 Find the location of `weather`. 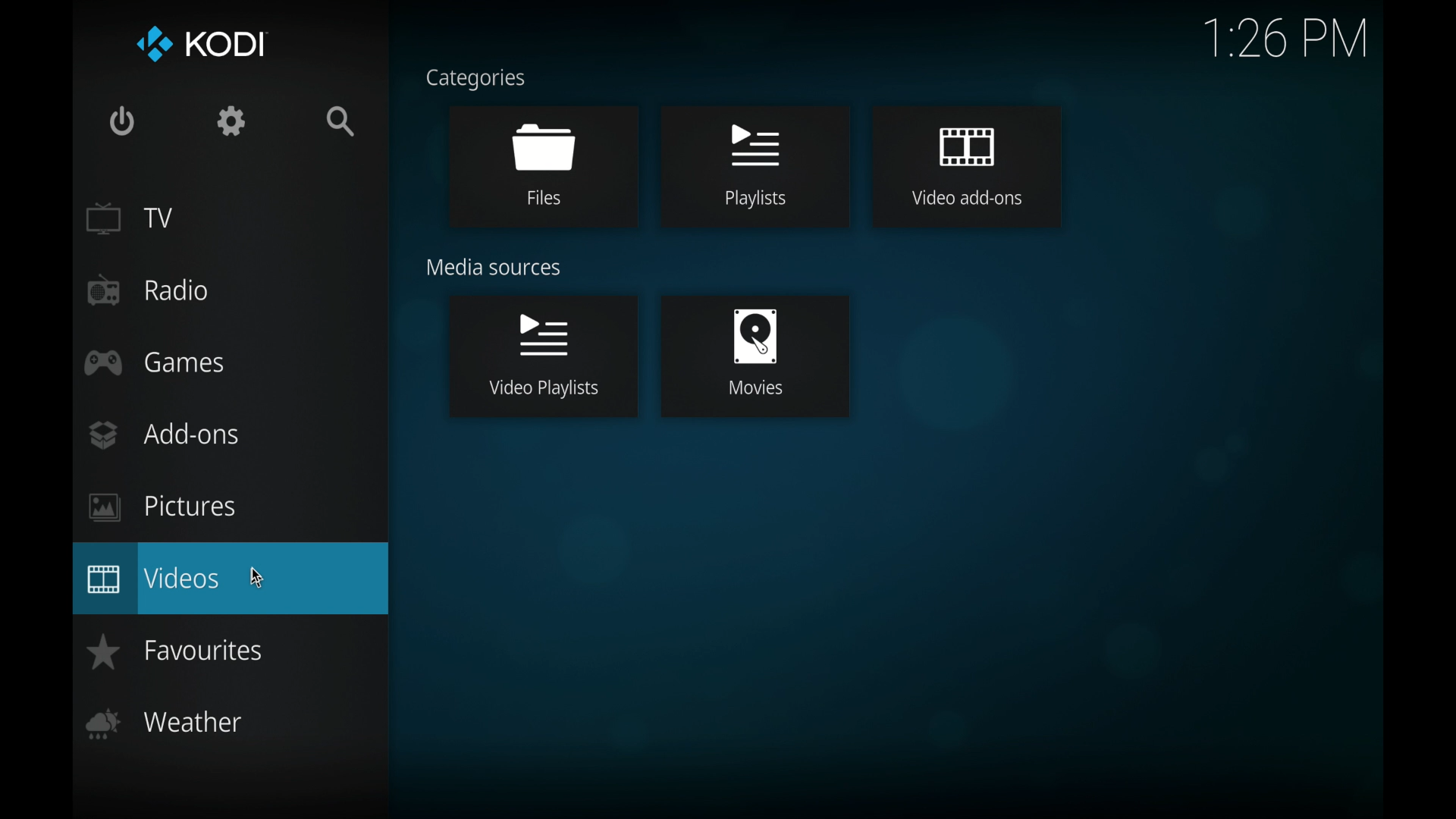

weather is located at coordinates (163, 724).